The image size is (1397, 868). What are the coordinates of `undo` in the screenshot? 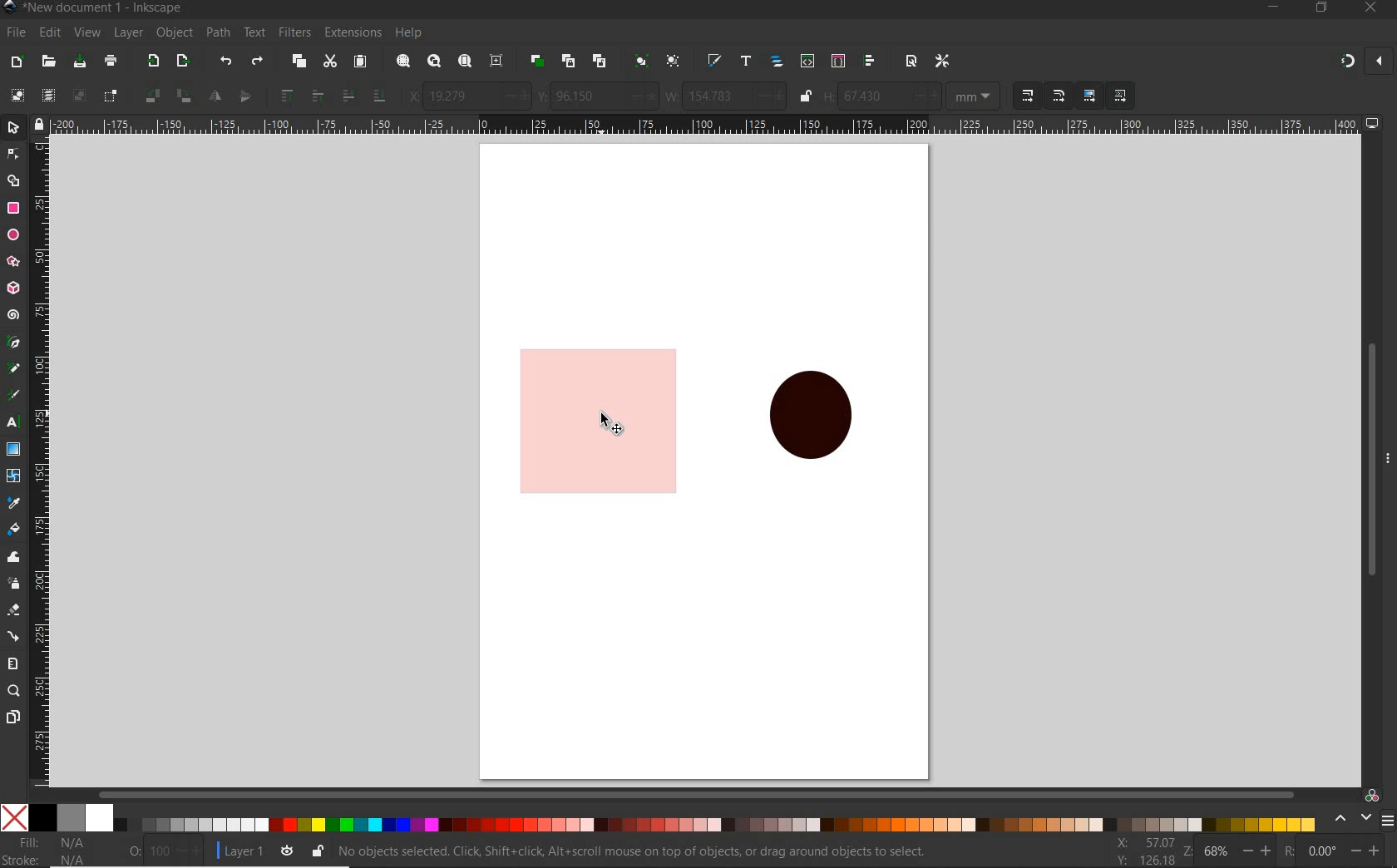 It's located at (227, 63).